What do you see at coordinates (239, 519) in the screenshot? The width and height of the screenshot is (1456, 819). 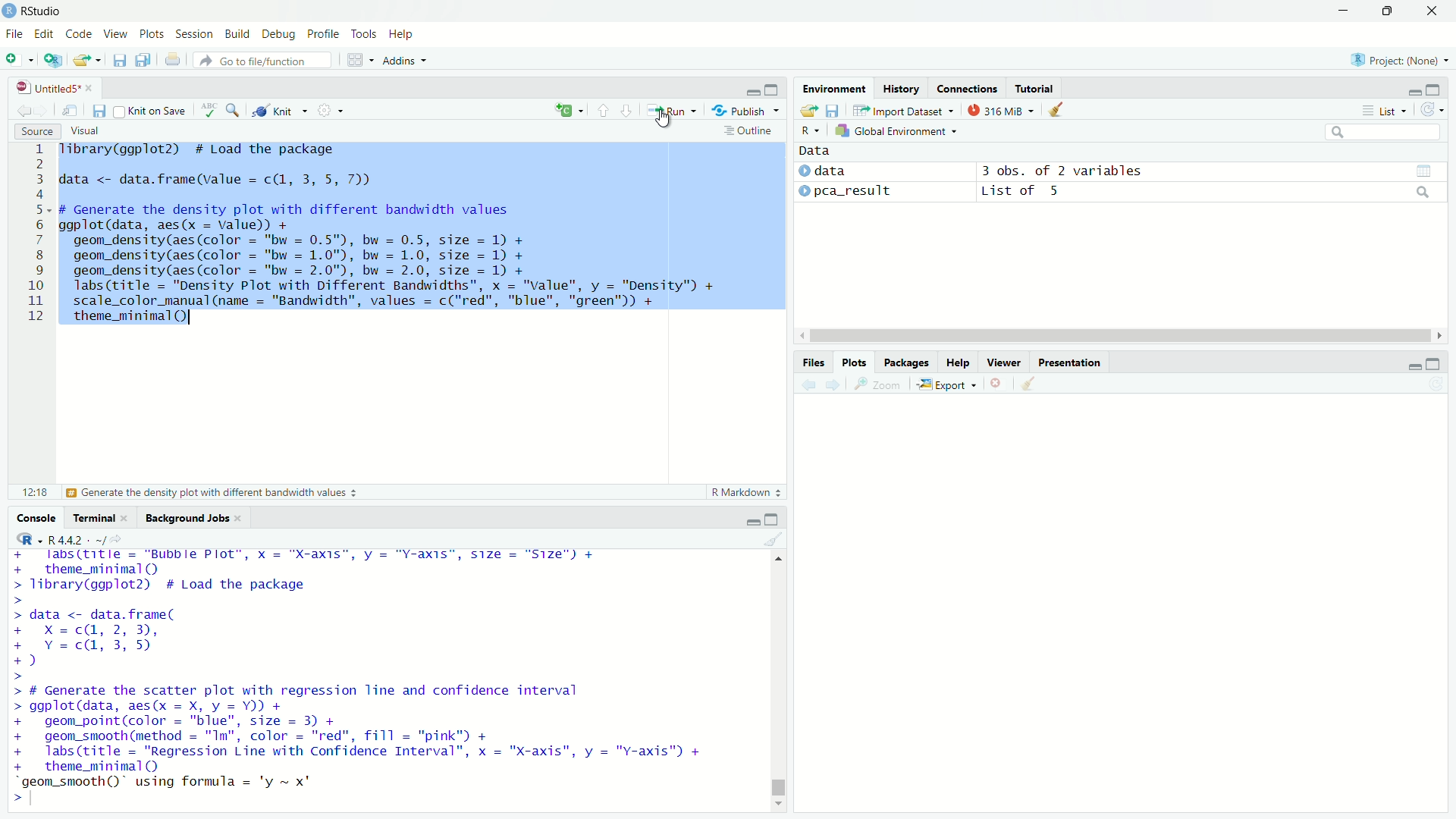 I see `close` at bounding box center [239, 519].